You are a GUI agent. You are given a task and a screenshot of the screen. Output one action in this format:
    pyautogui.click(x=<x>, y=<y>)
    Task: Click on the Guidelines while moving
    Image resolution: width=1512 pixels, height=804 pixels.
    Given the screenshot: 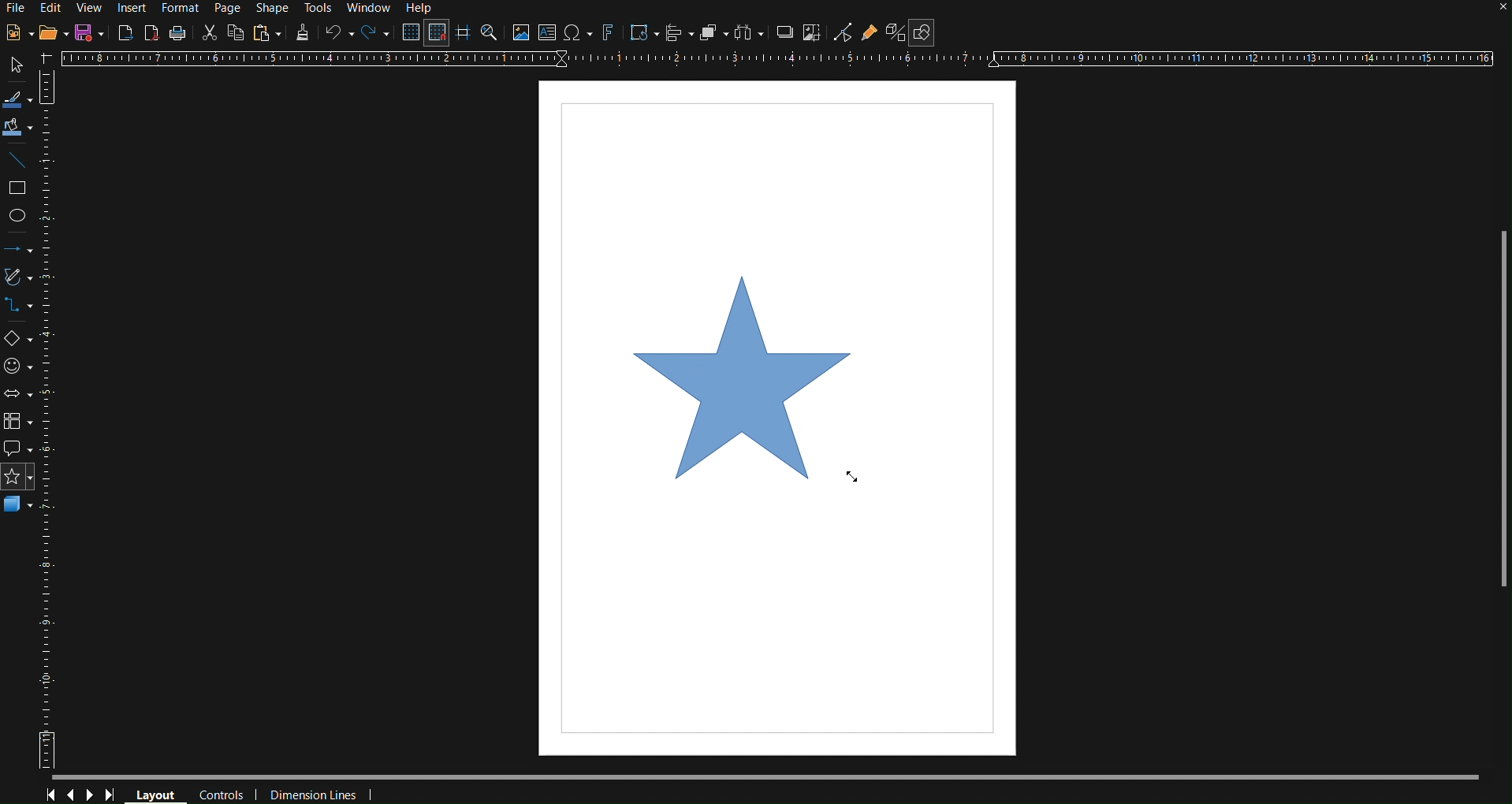 What is the action you would take?
    pyautogui.click(x=464, y=34)
    